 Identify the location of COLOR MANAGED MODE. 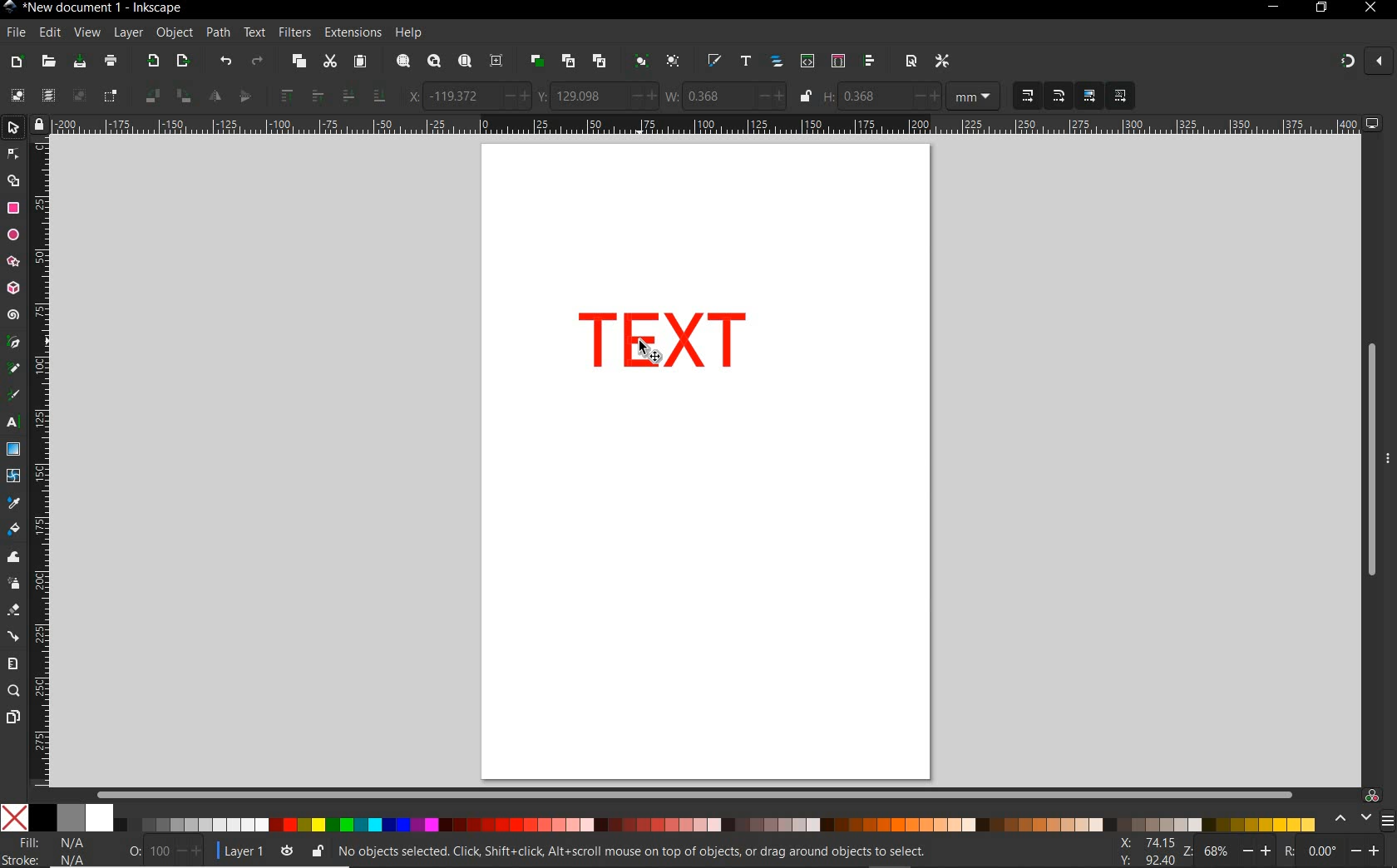
(1361, 809).